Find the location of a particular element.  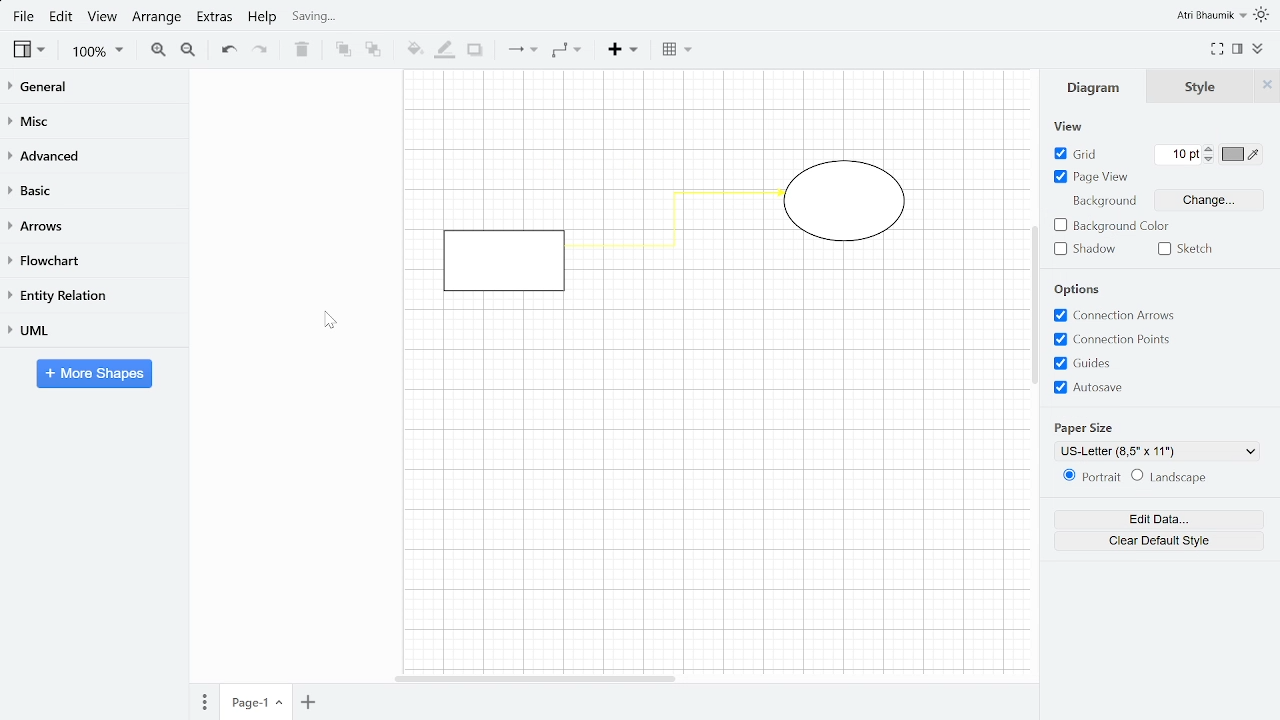

Format is located at coordinates (1238, 49).